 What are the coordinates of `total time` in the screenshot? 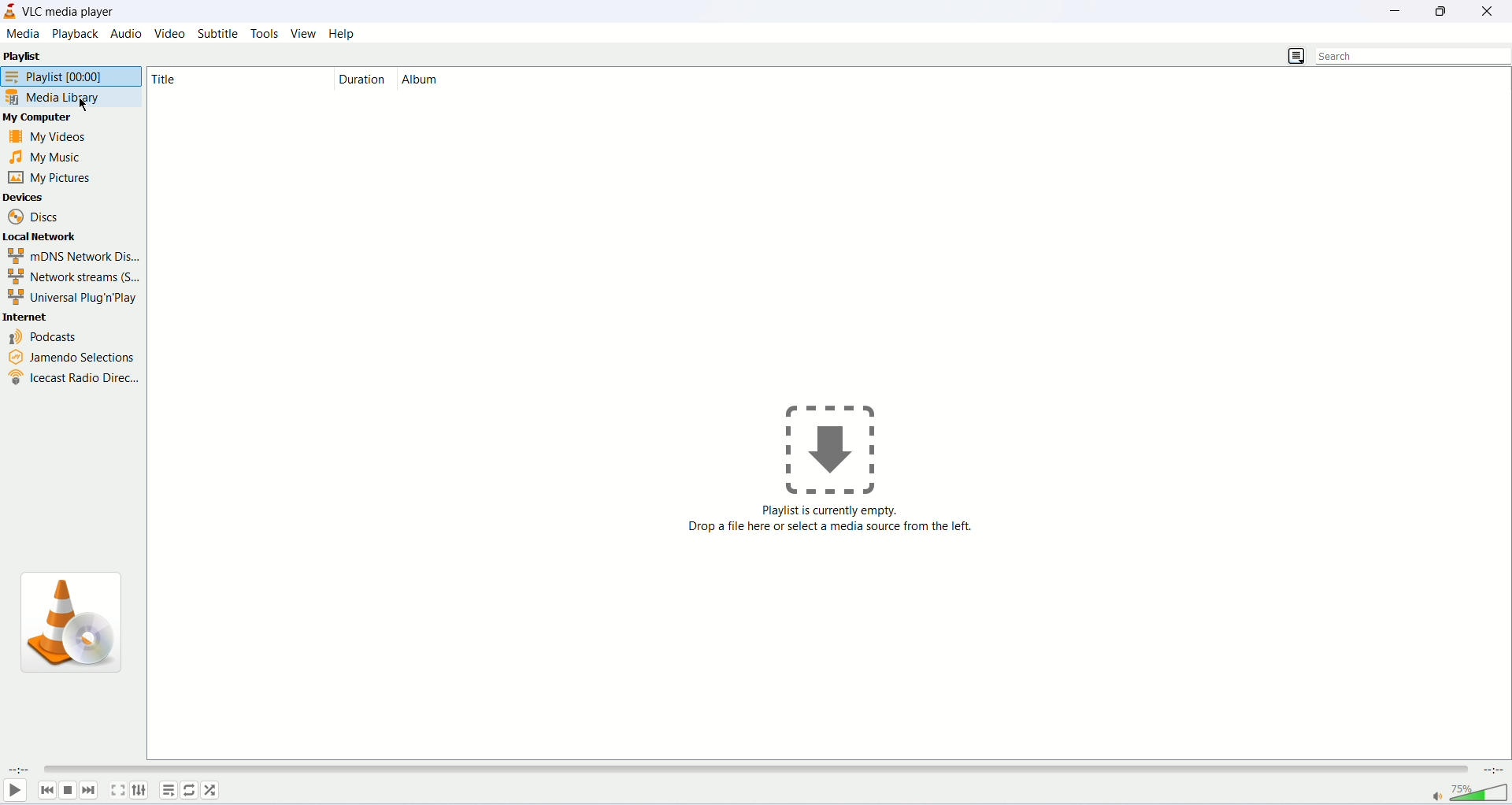 It's located at (1495, 768).